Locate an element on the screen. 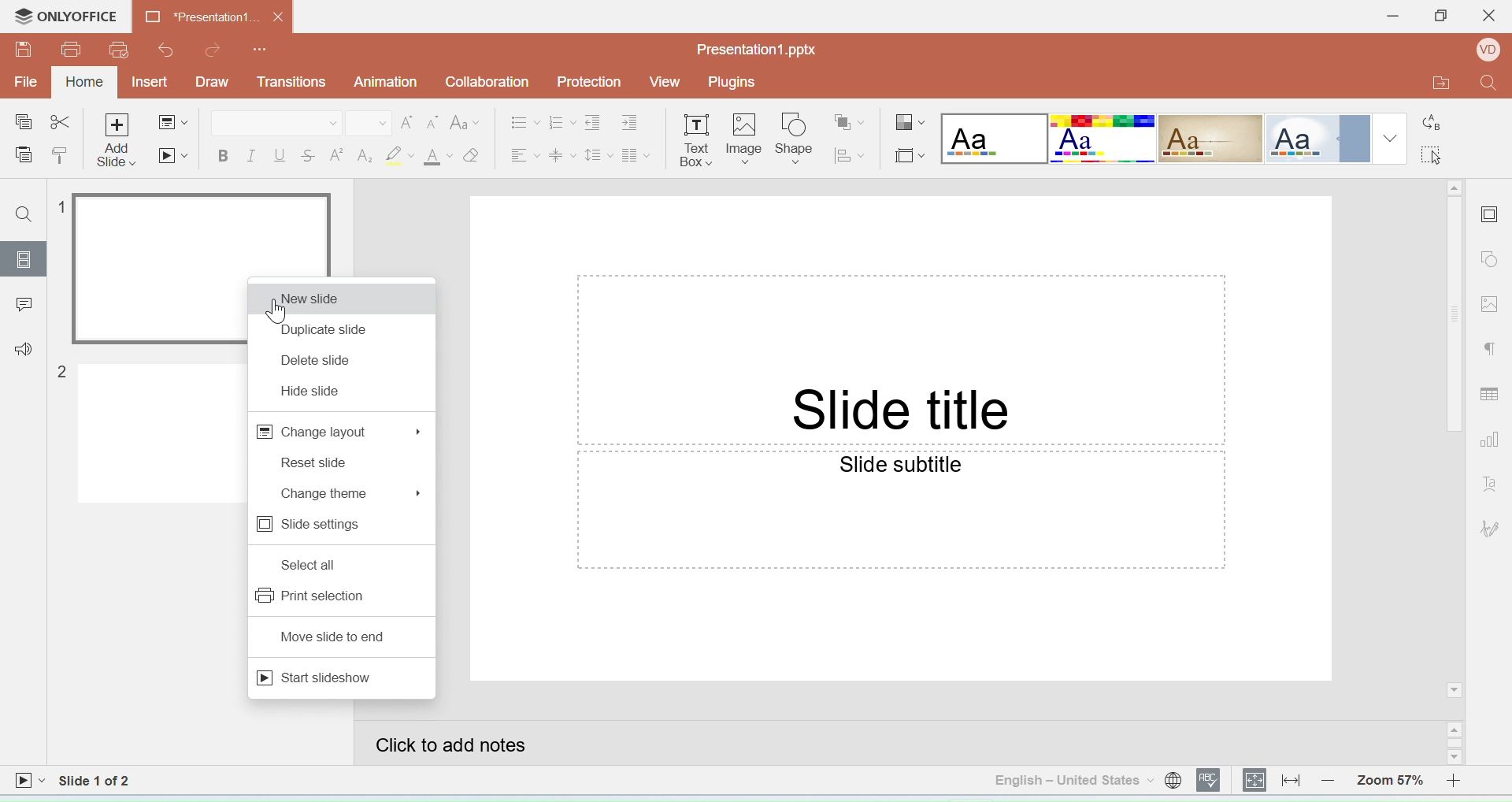 This screenshot has height=802, width=1512. Find is located at coordinates (1489, 87).